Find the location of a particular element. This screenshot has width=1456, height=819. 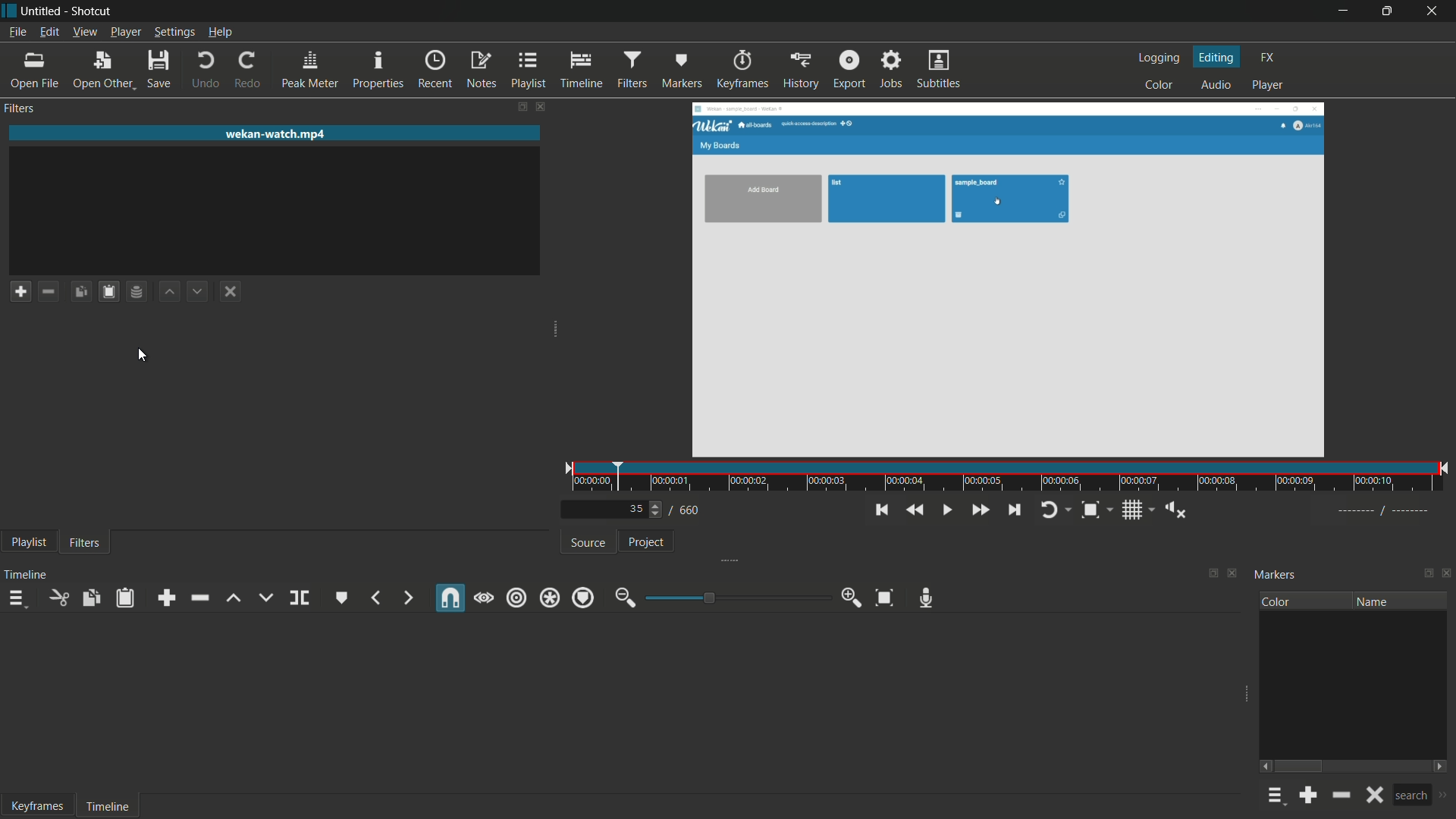

recent is located at coordinates (436, 71).